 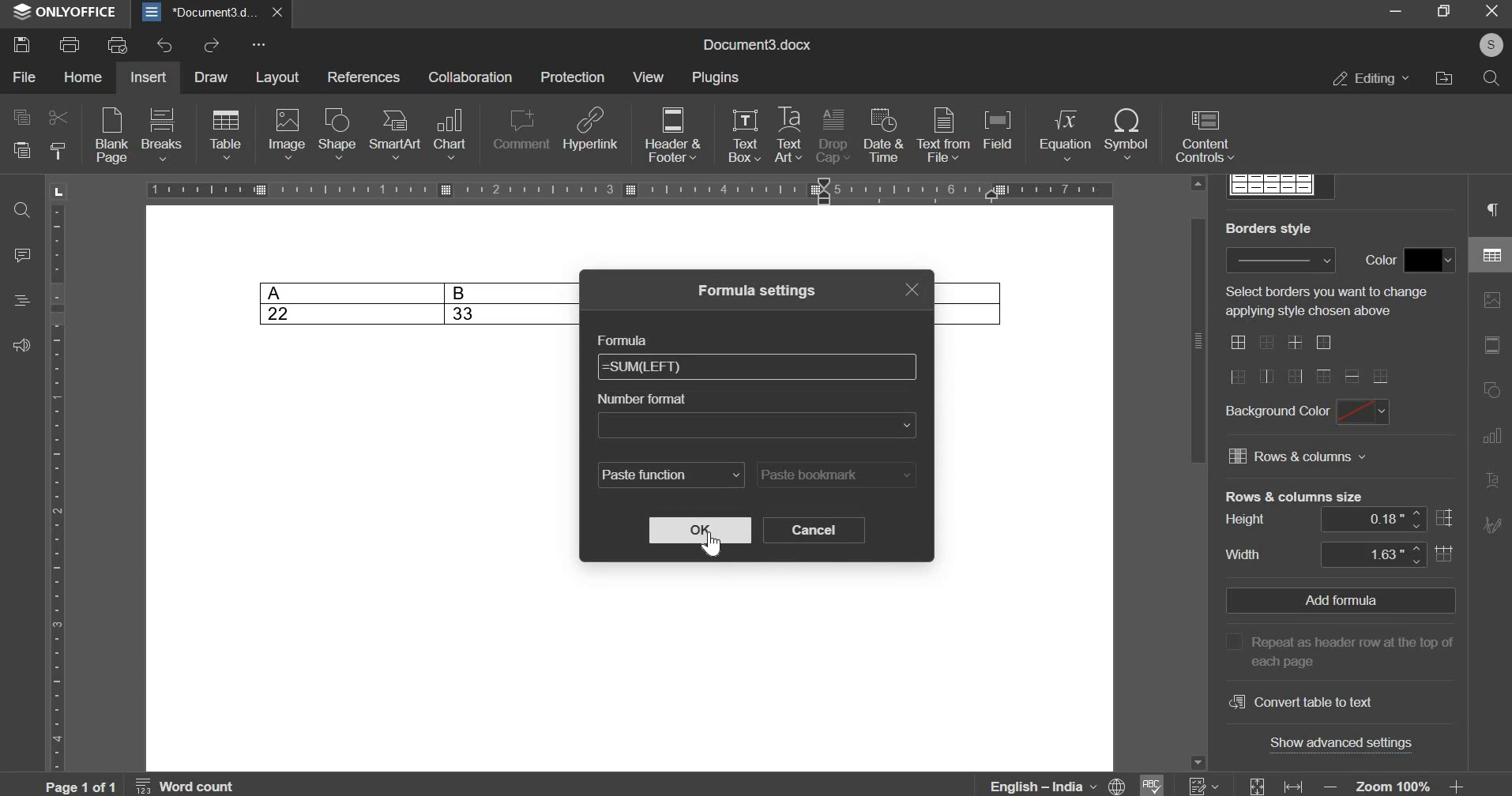 I want to click on view, so click(x=649, y=76).